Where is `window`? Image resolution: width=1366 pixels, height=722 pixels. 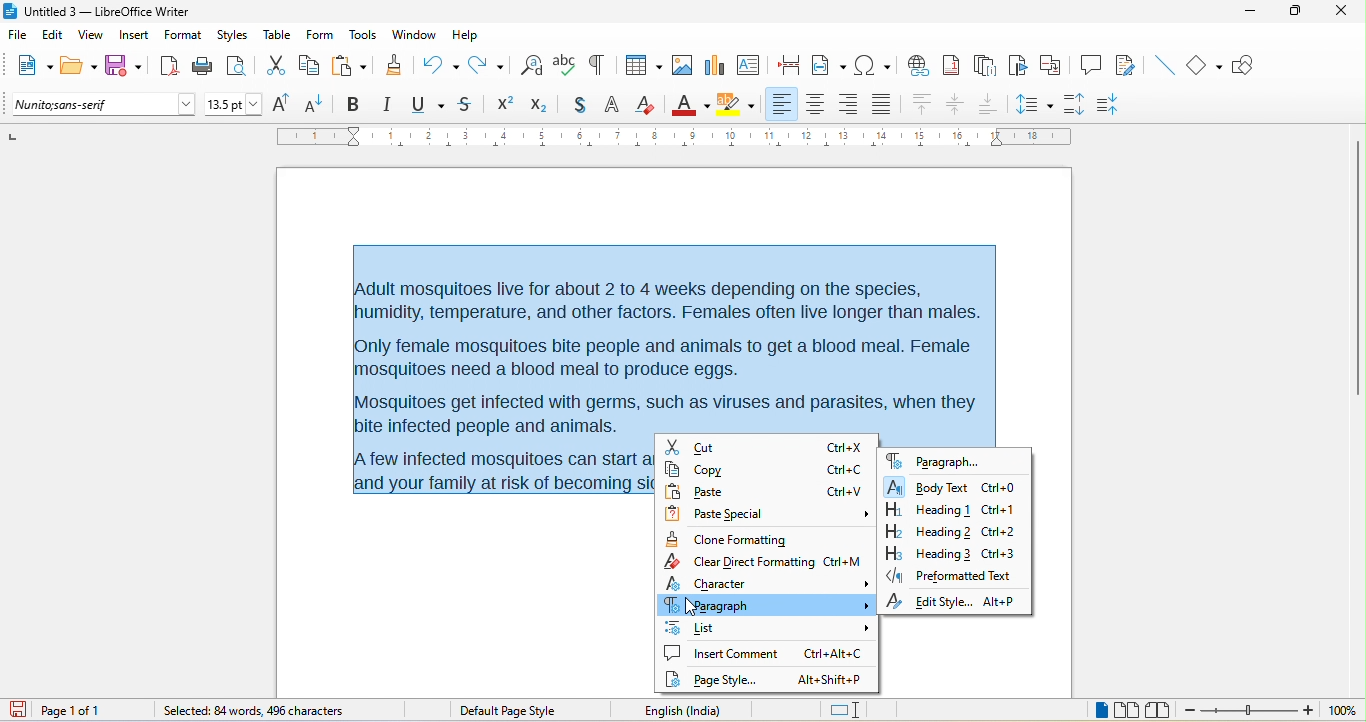 window is located at coordinates (415, 35).